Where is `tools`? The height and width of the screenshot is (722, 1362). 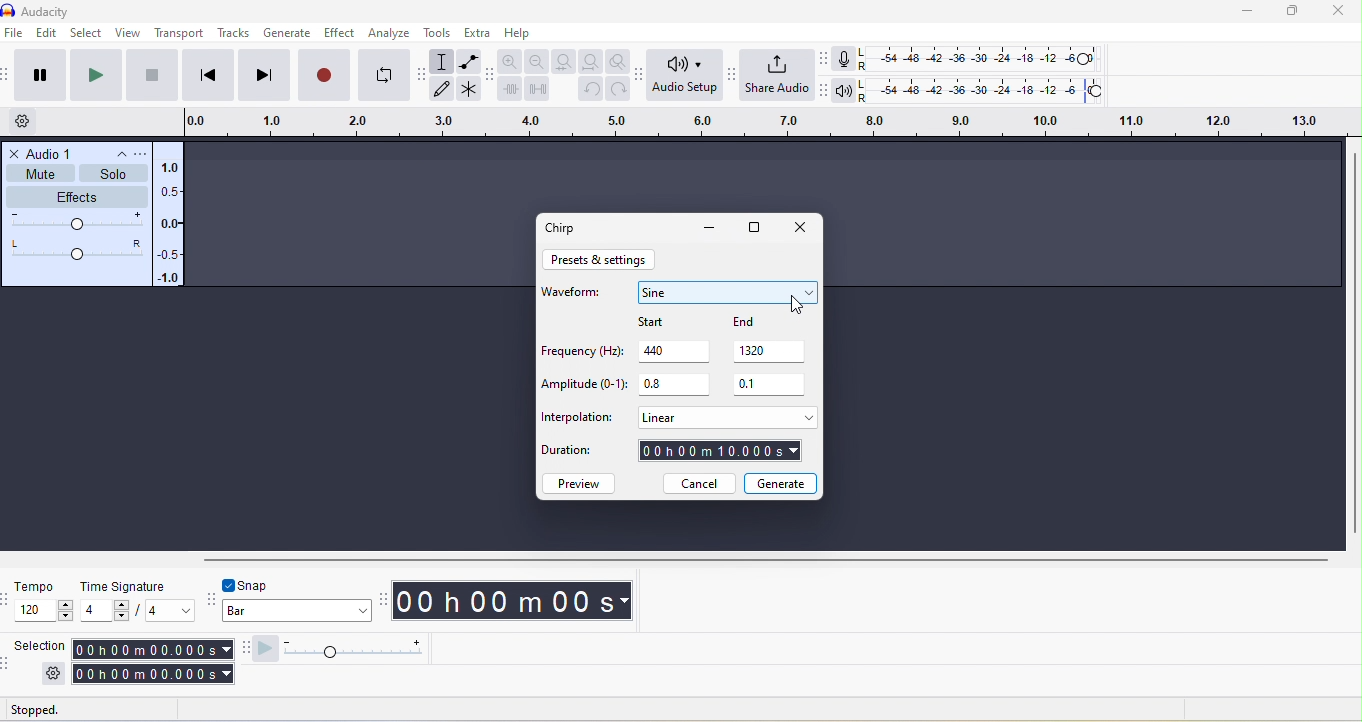 tools is located at coordinates (439, 32).